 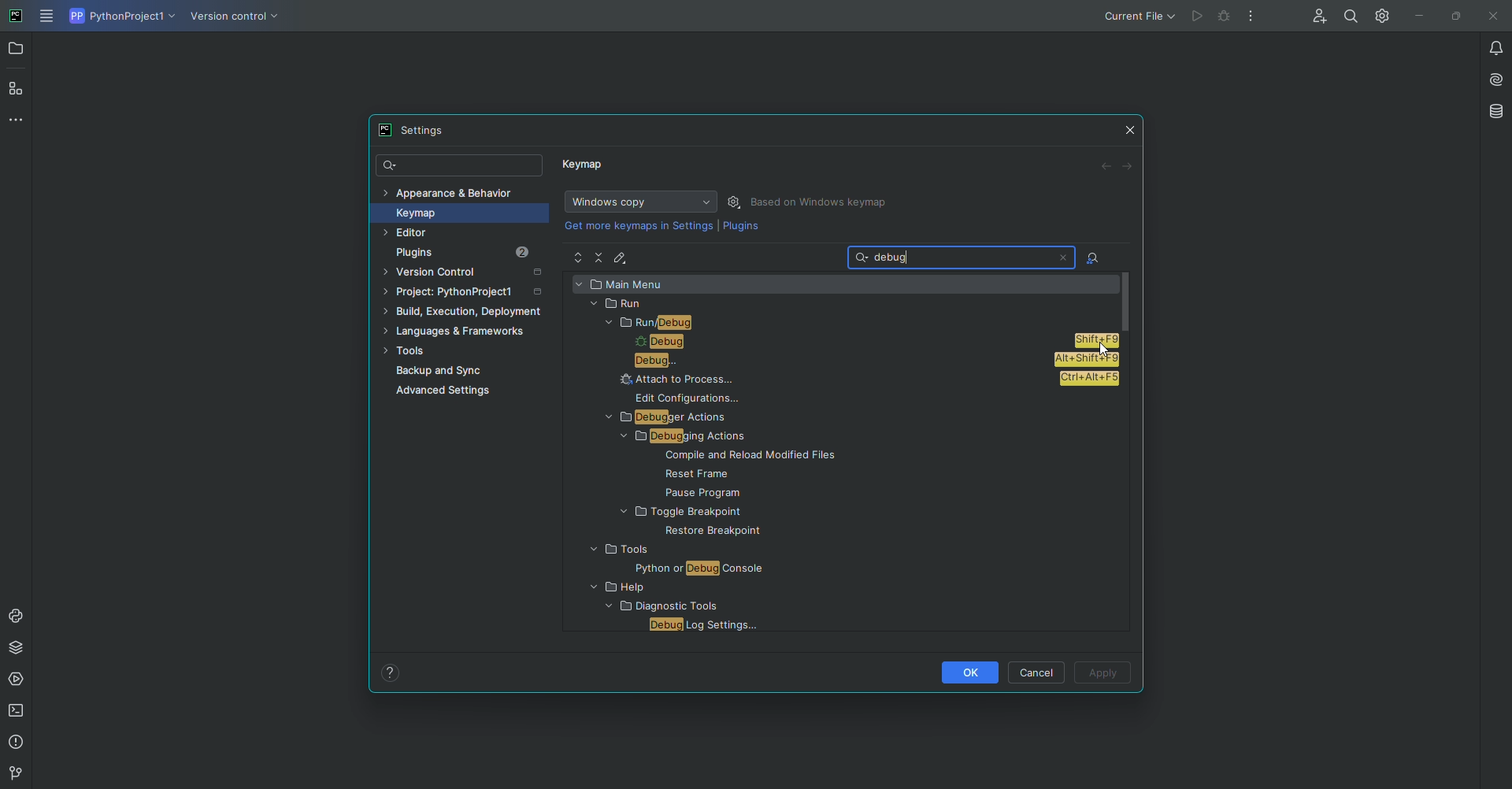 What do you see at coordinates (736, 492) in the screenshot?
I see `FILE NAME` at bounding box center [736, 492].